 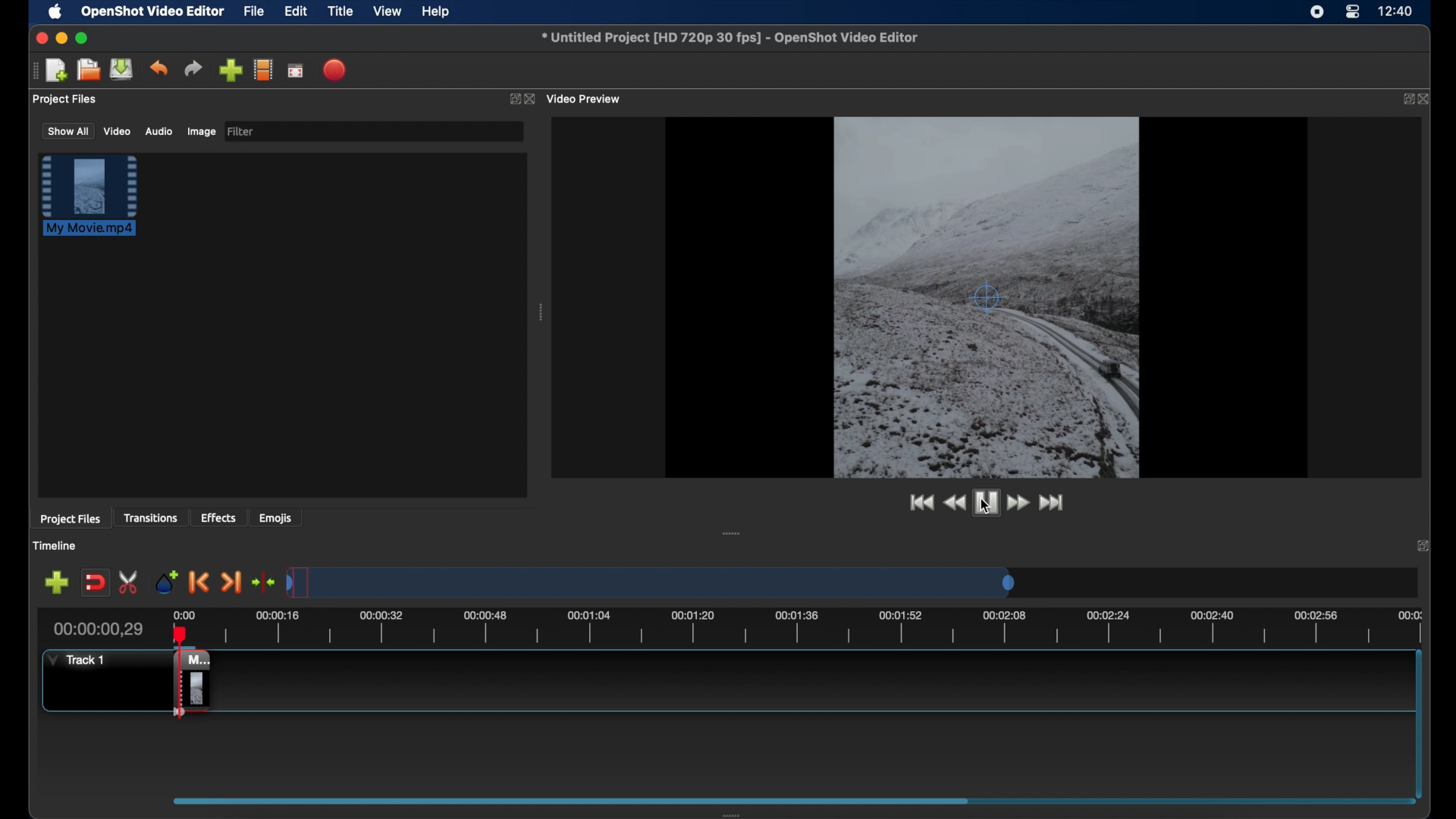 What do you see at coordinates (56, 583) in the screenshot?
I see `add track` at bounding box center [56, 583].